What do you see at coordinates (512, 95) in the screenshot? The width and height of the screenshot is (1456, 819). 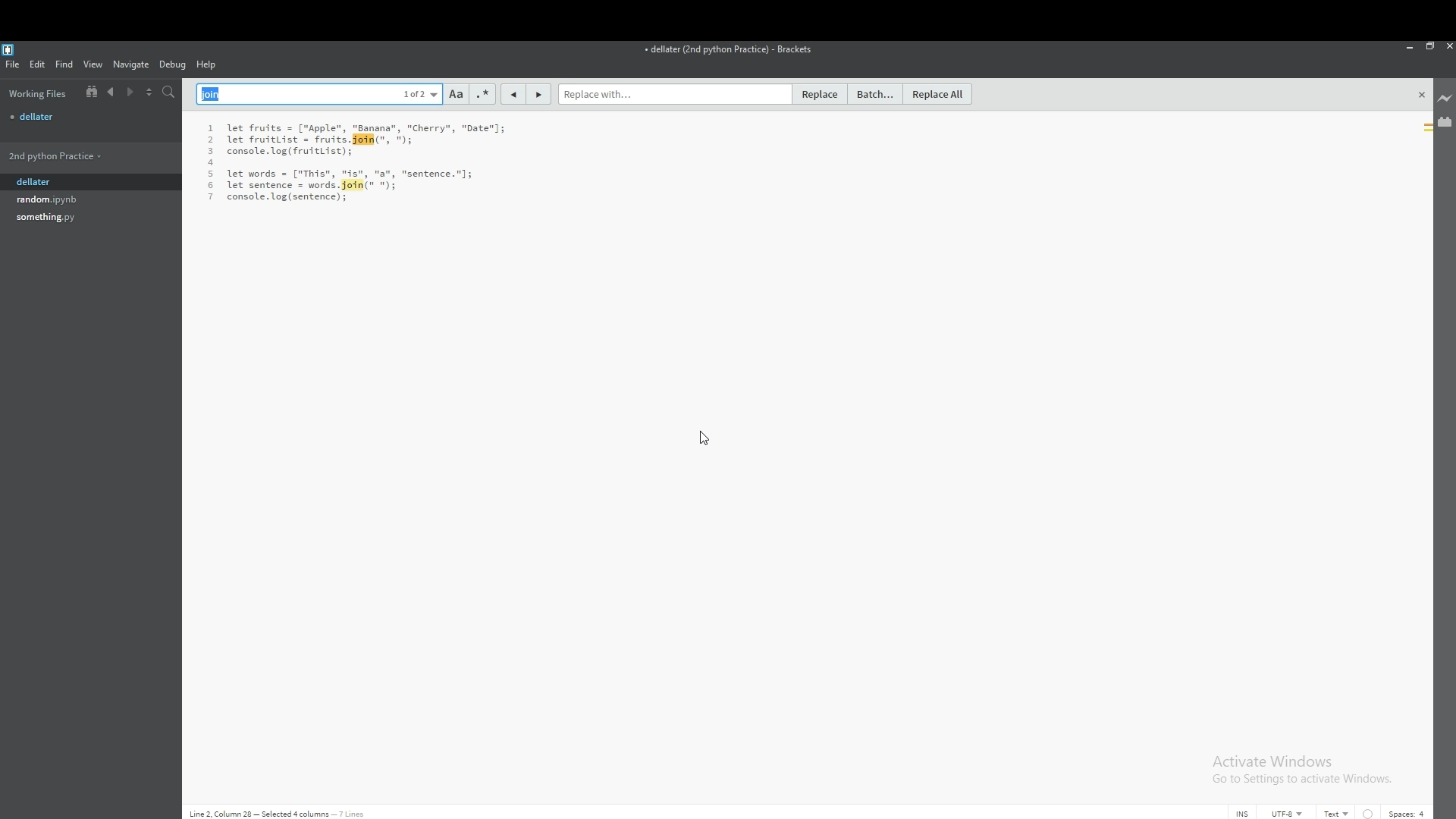 I see `previous match` at bounding box center [512, 95].